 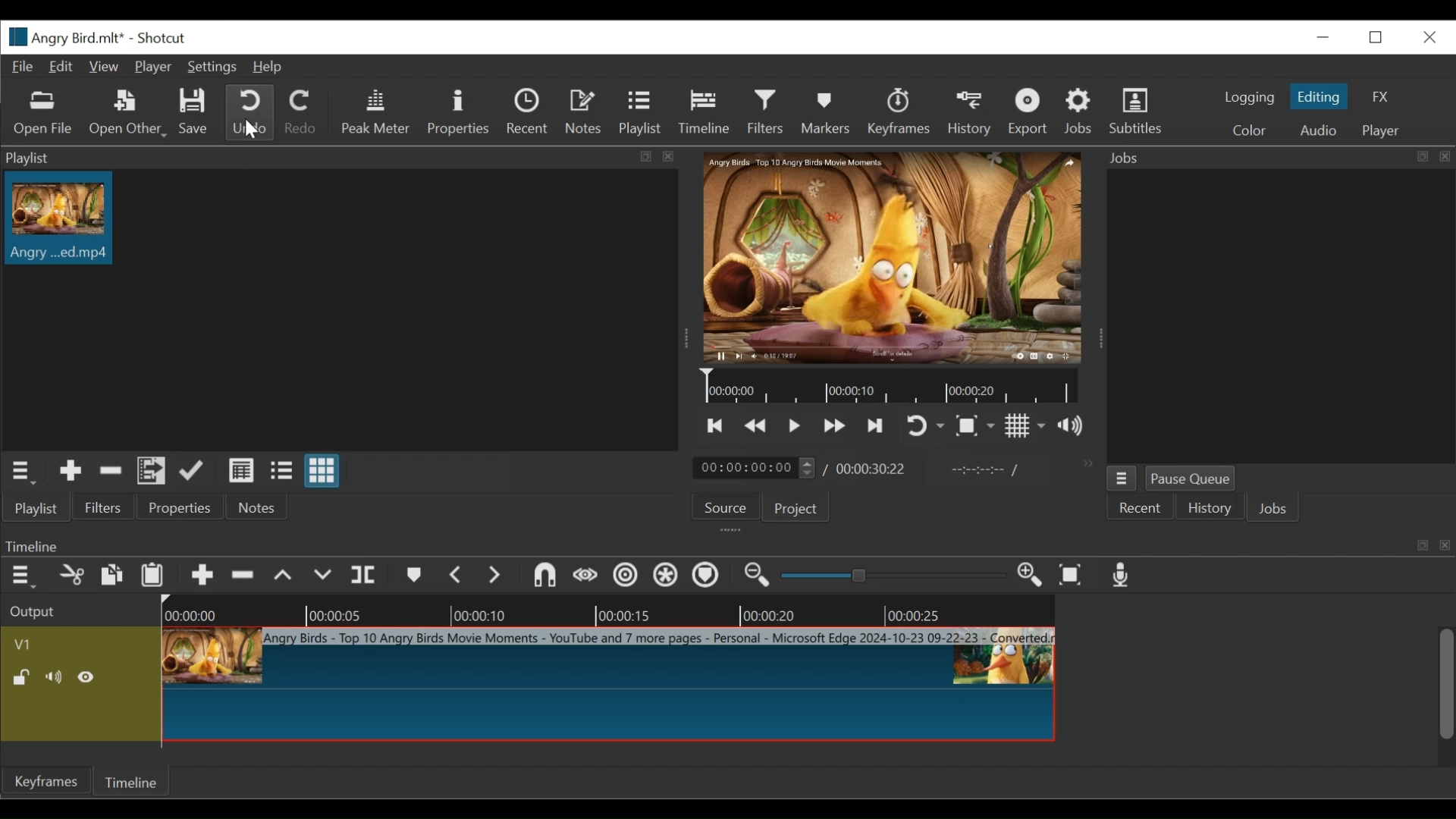 I want to click on Toggle zoom, so click(x=975, y=427).